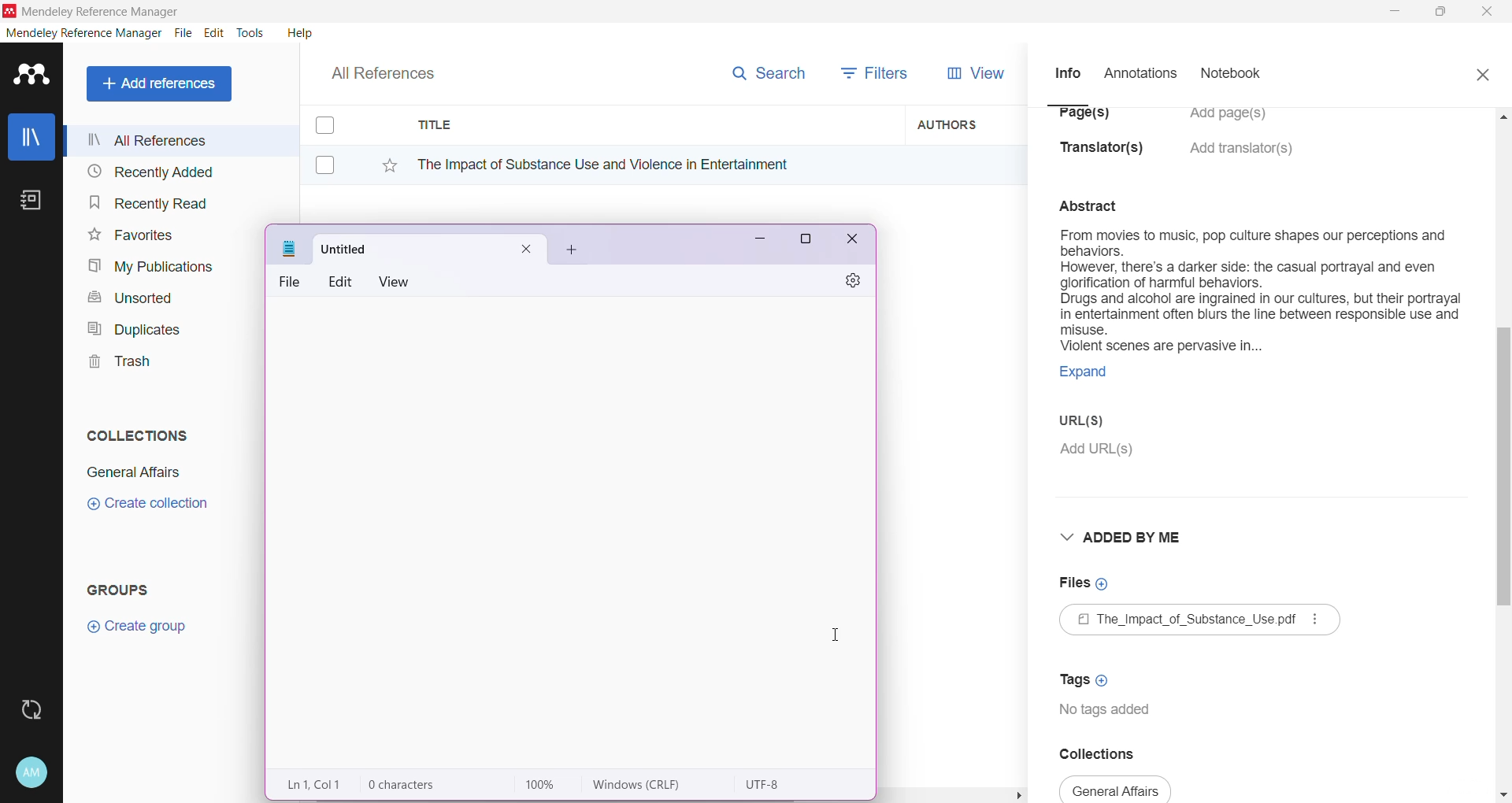 The width and height of the screenshot is (1512, 803). I want to click on Line, Column of the pasted text area on the Notepad, so click(317, 784).